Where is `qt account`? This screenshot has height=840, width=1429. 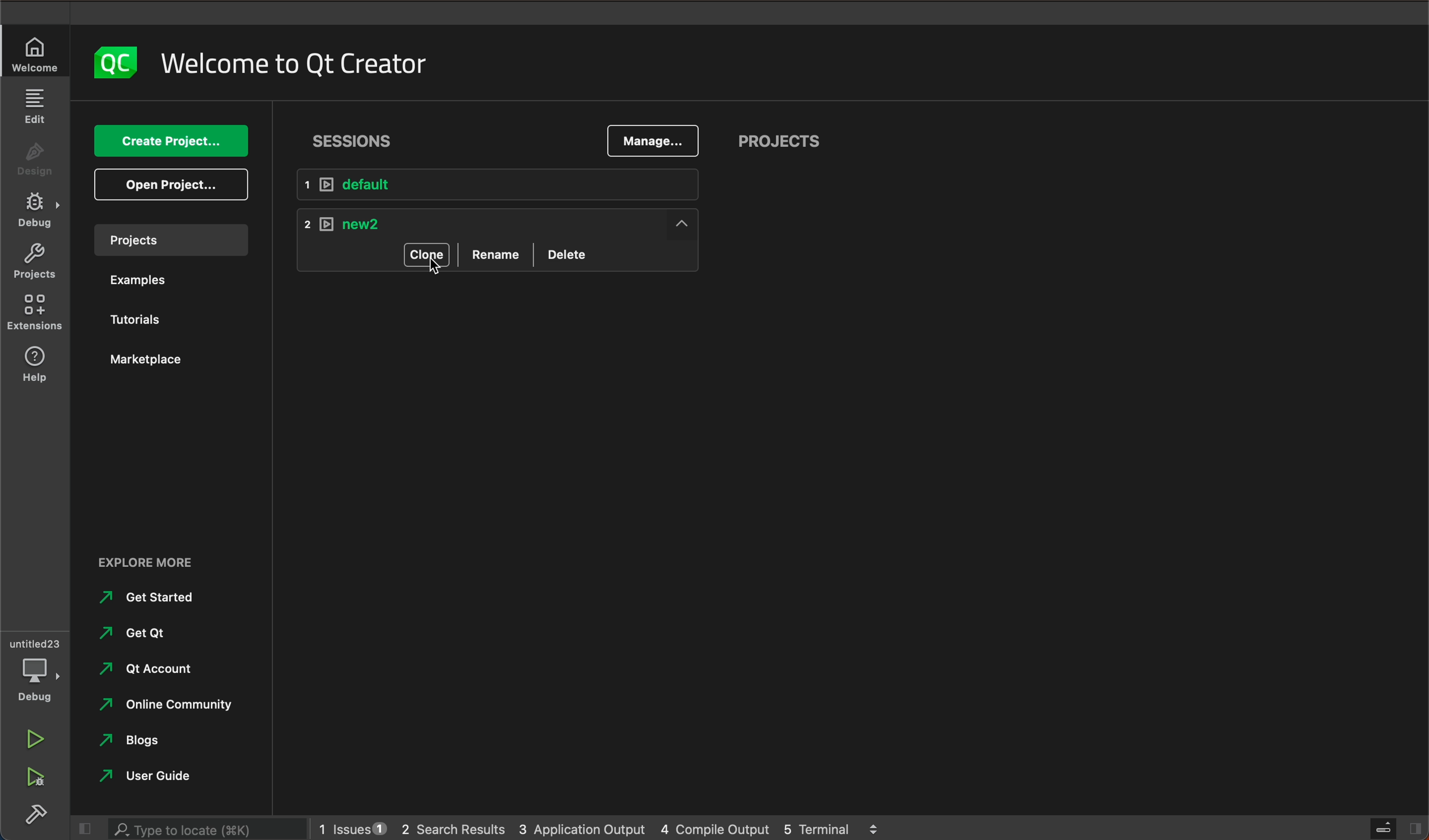
qt account is located at coordinates (153, 669).